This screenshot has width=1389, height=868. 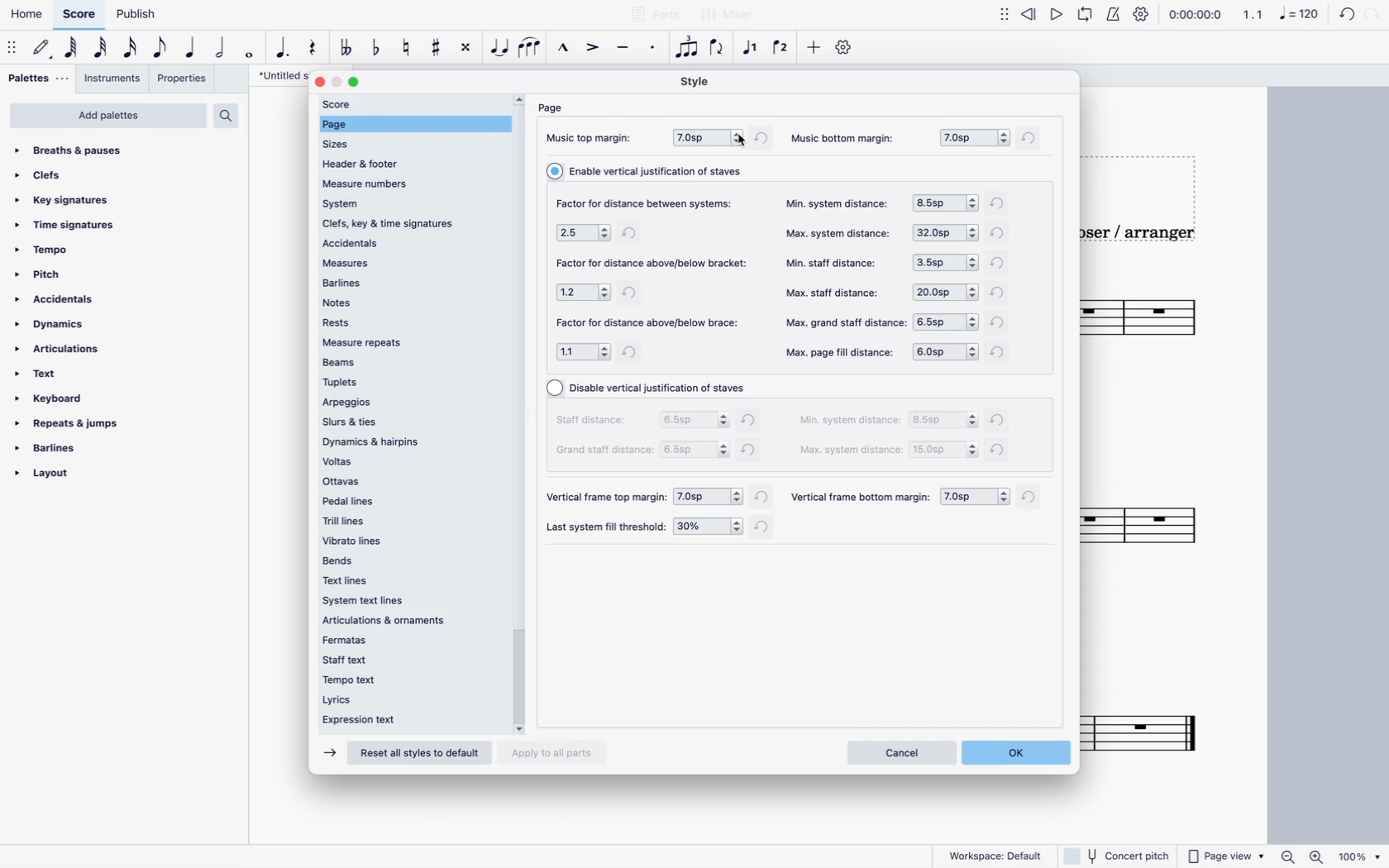 I want to click on refresh, so click(x=751, y=422).